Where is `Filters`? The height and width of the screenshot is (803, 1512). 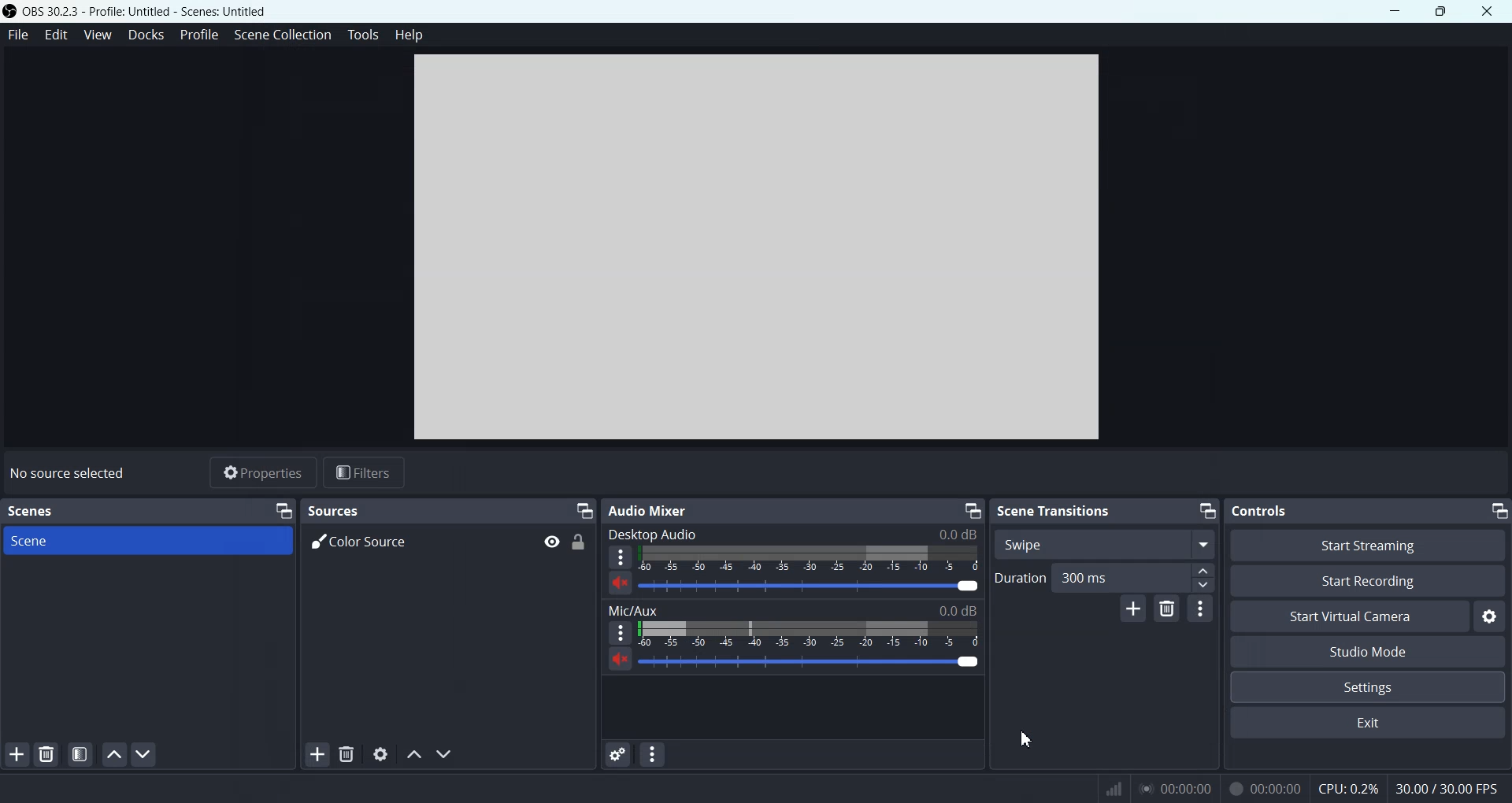
Filters is located at coordinates (367, 472).